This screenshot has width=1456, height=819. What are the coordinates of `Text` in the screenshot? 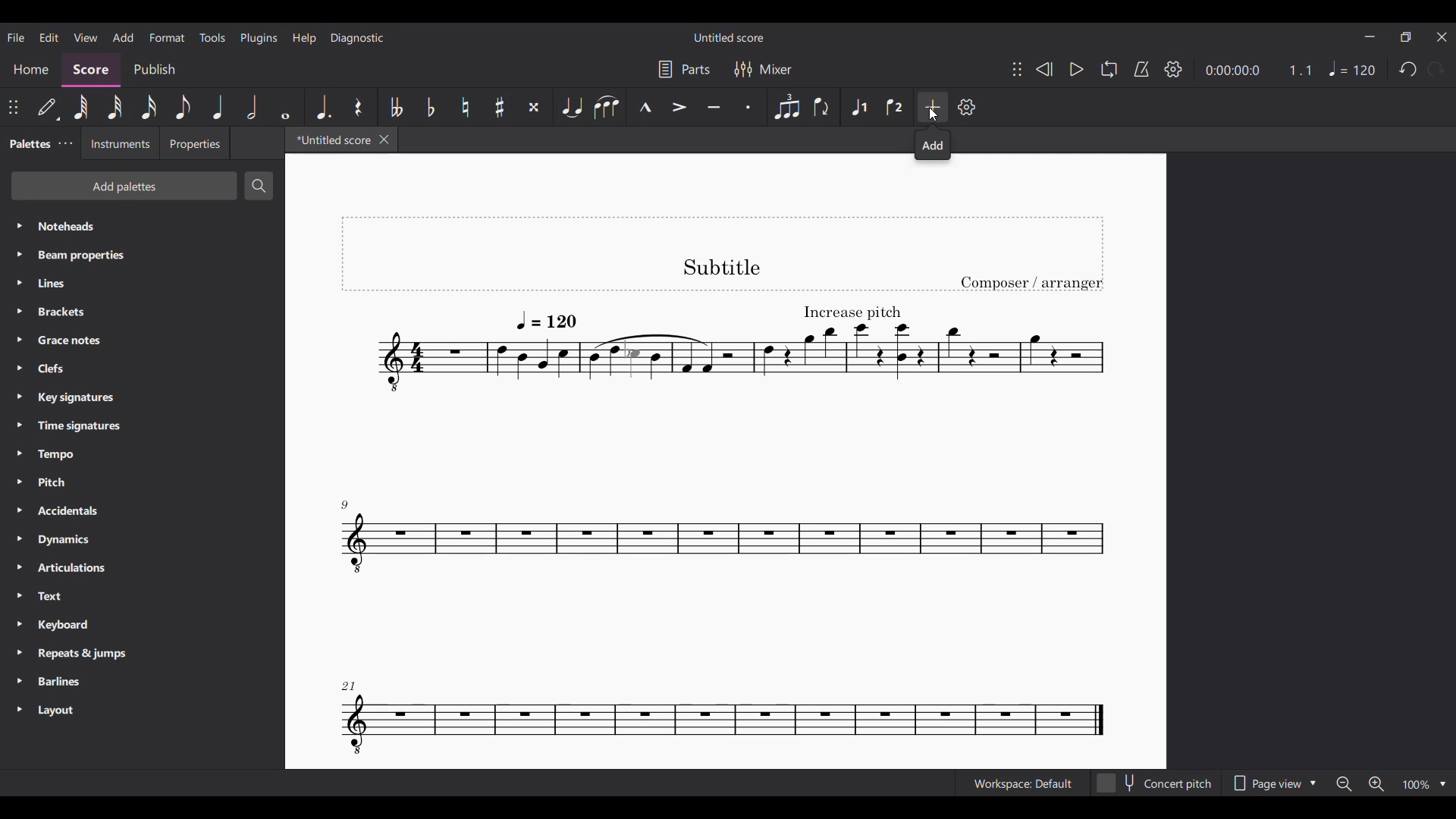 It's located at (143, 596).